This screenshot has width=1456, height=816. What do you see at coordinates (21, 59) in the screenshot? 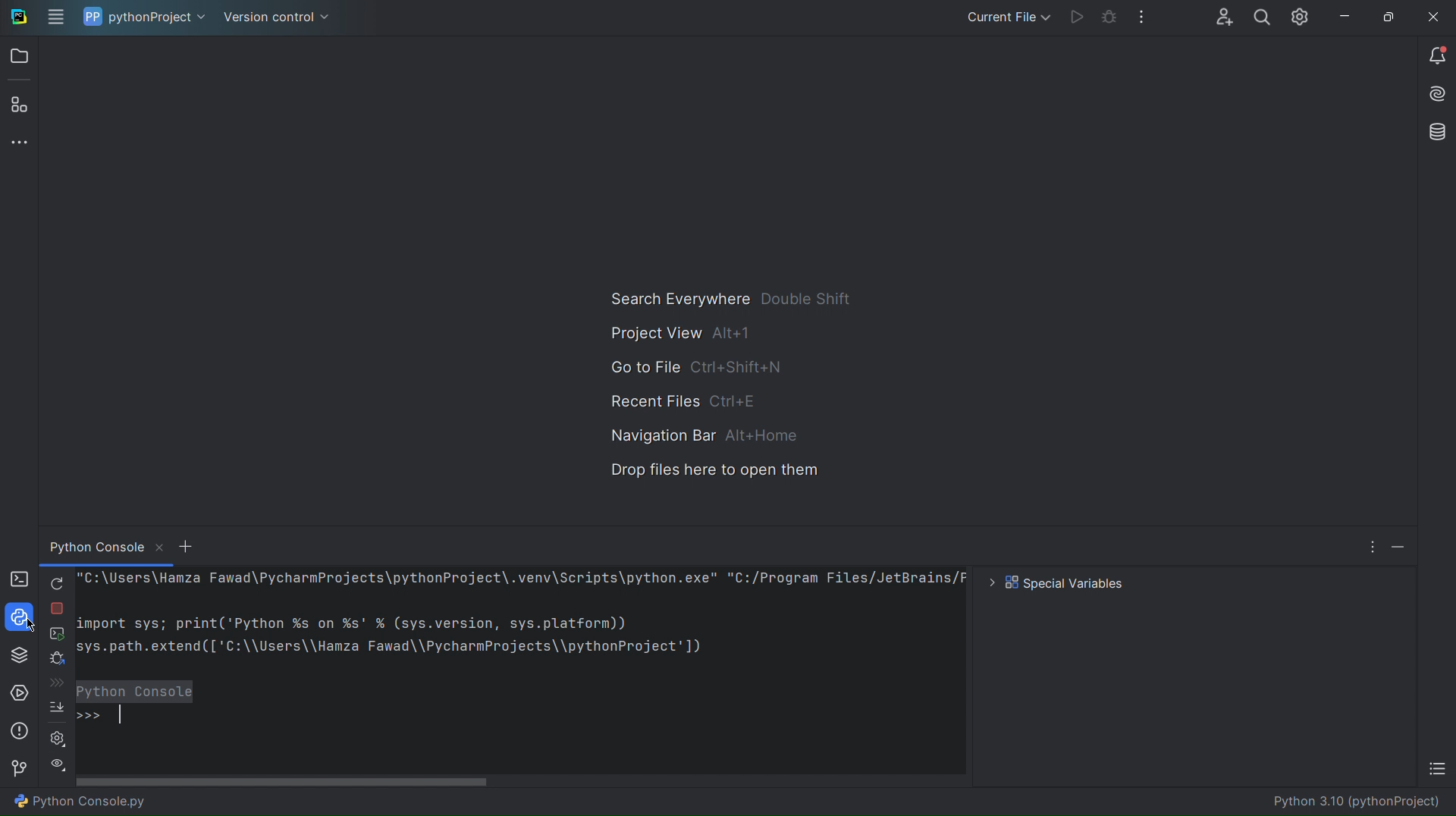
I see `Open` at bounding box center [21, 59].